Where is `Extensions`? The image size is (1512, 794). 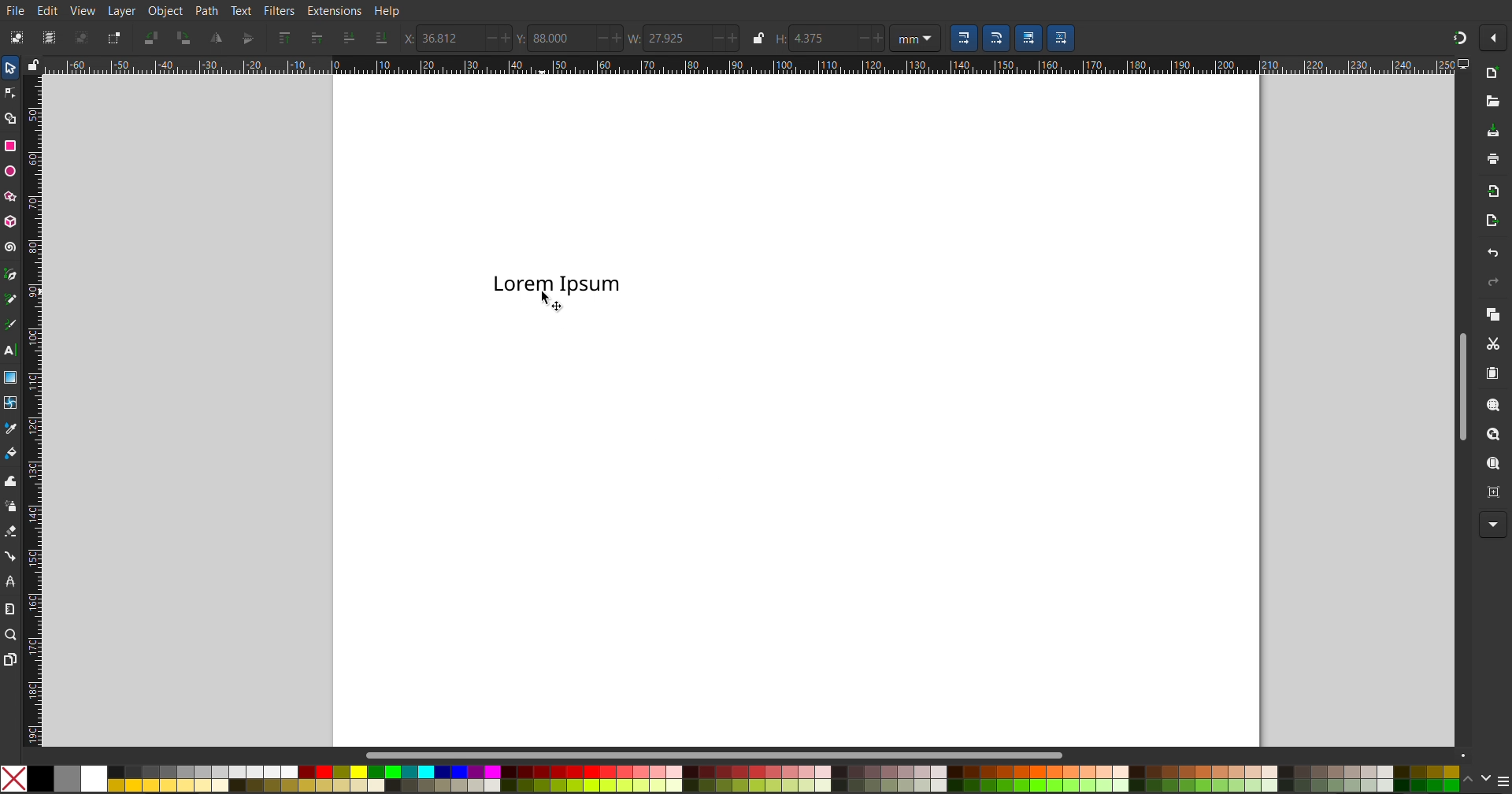
Extensions is located at coordinates (336, 11).